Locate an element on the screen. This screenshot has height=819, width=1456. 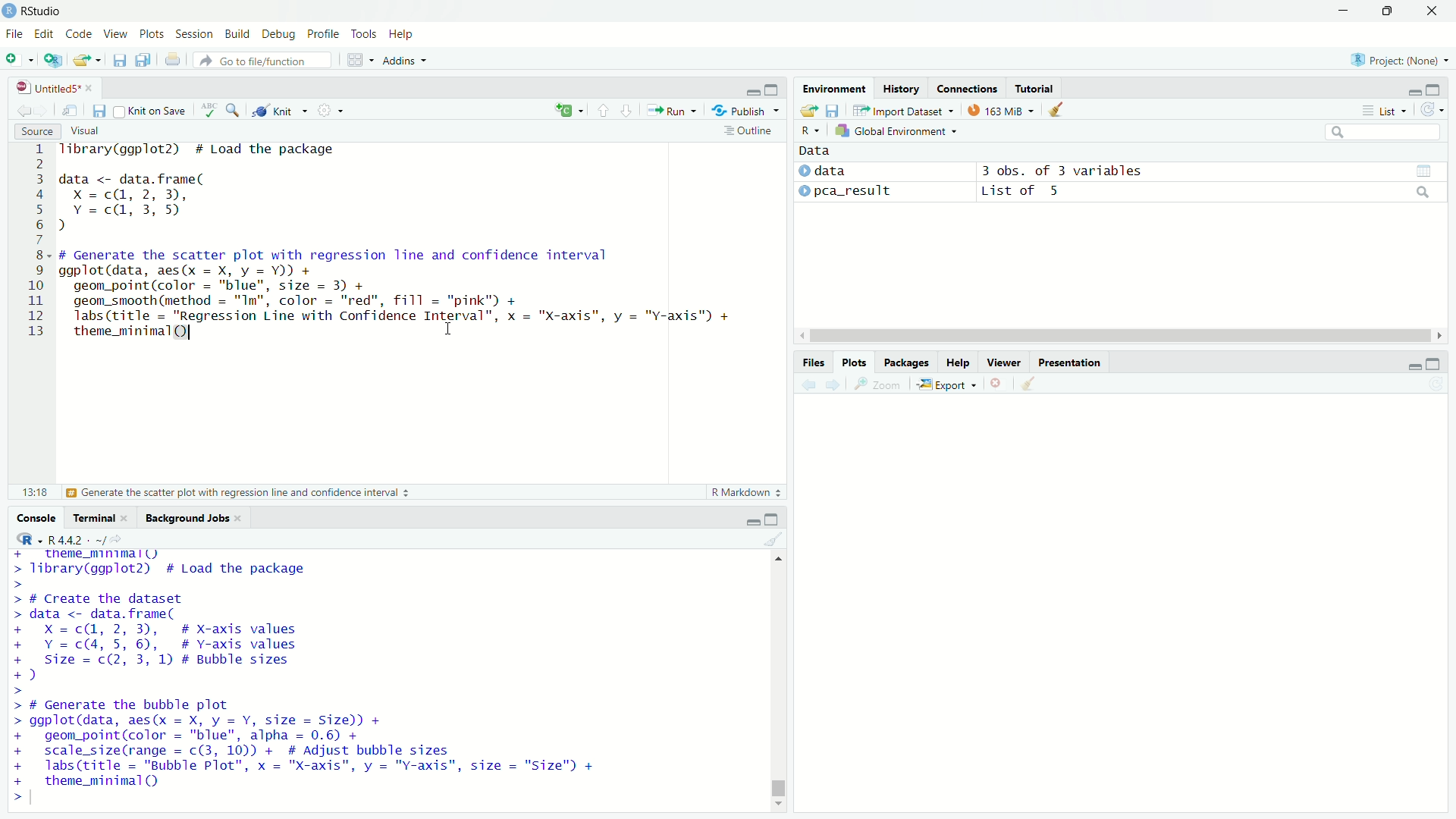
minimize is located at coordinates (1412, 364).